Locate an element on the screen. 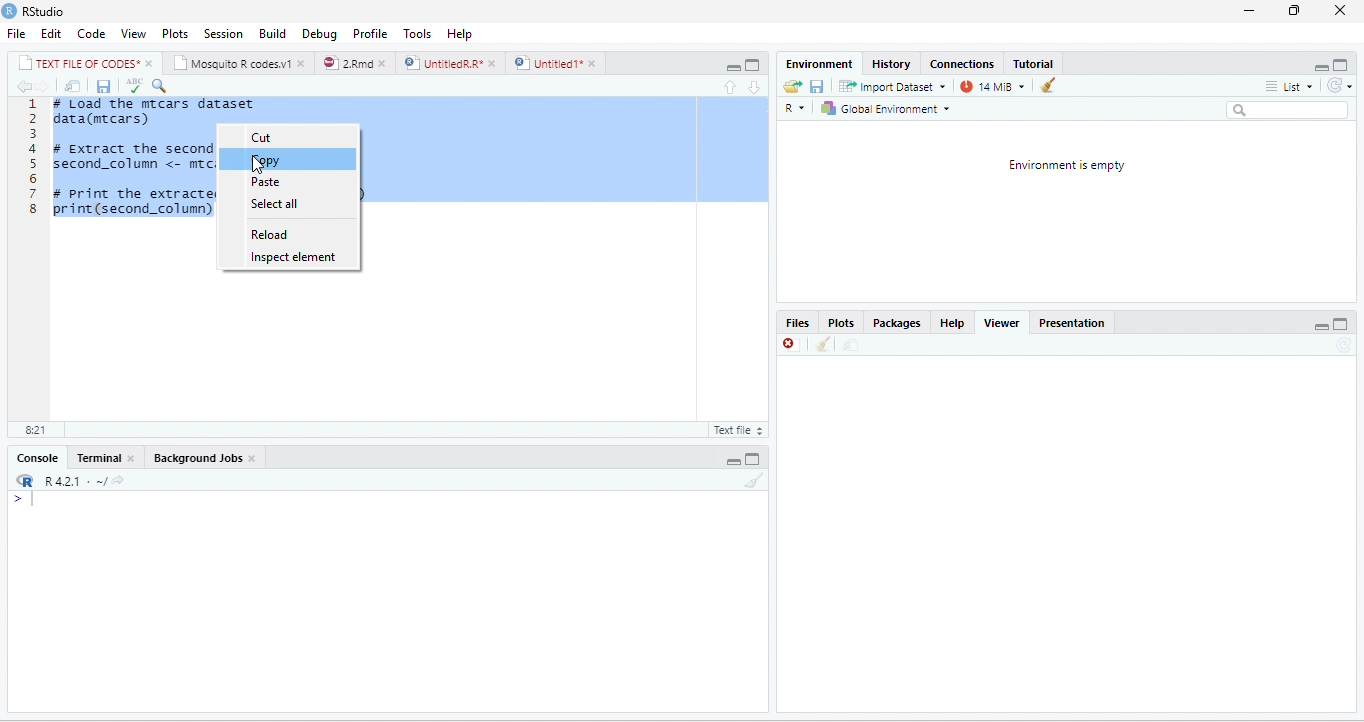  | Global Environment = is located at coordinates (885, 108).